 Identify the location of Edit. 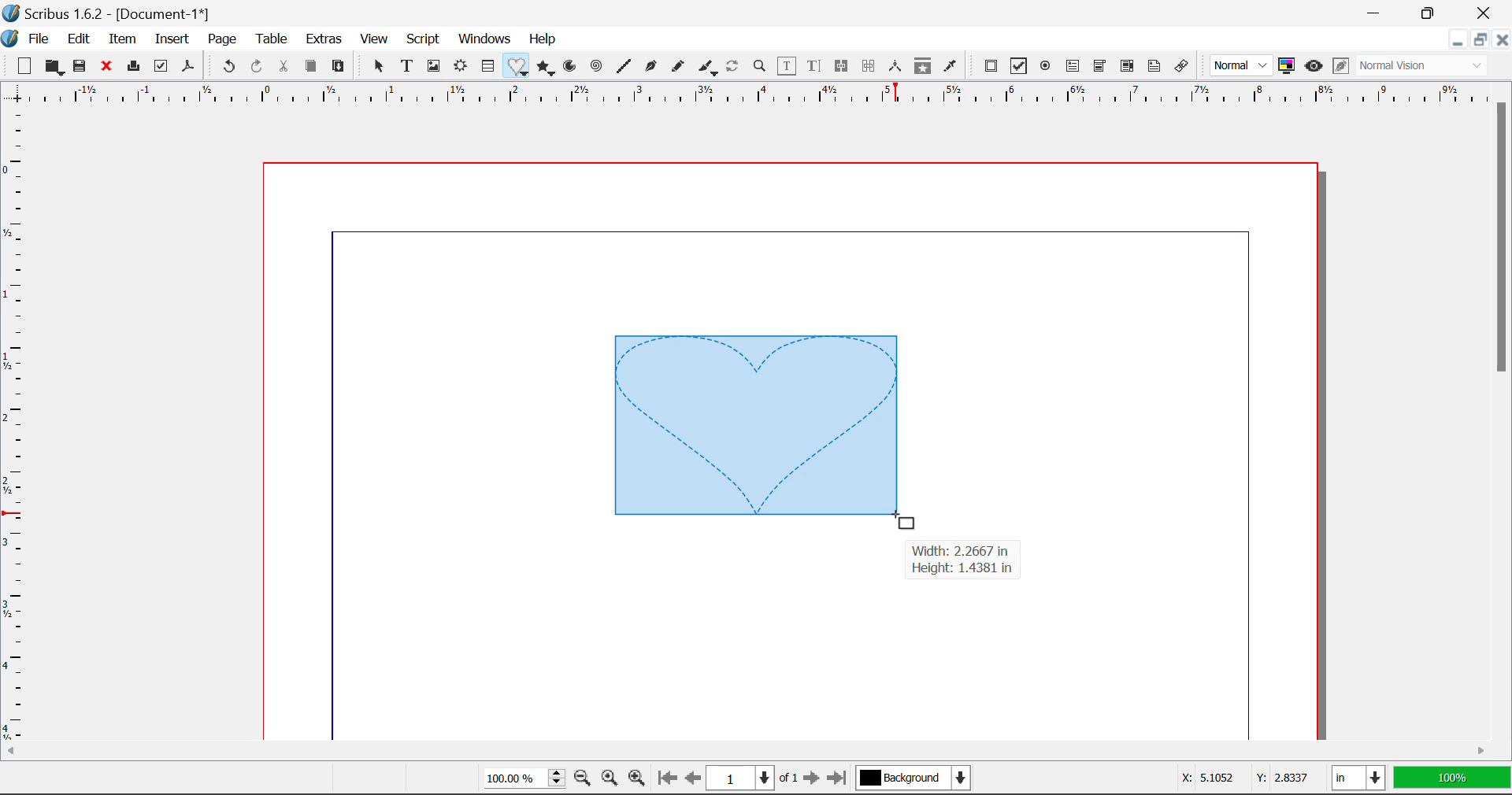
(79, 39).